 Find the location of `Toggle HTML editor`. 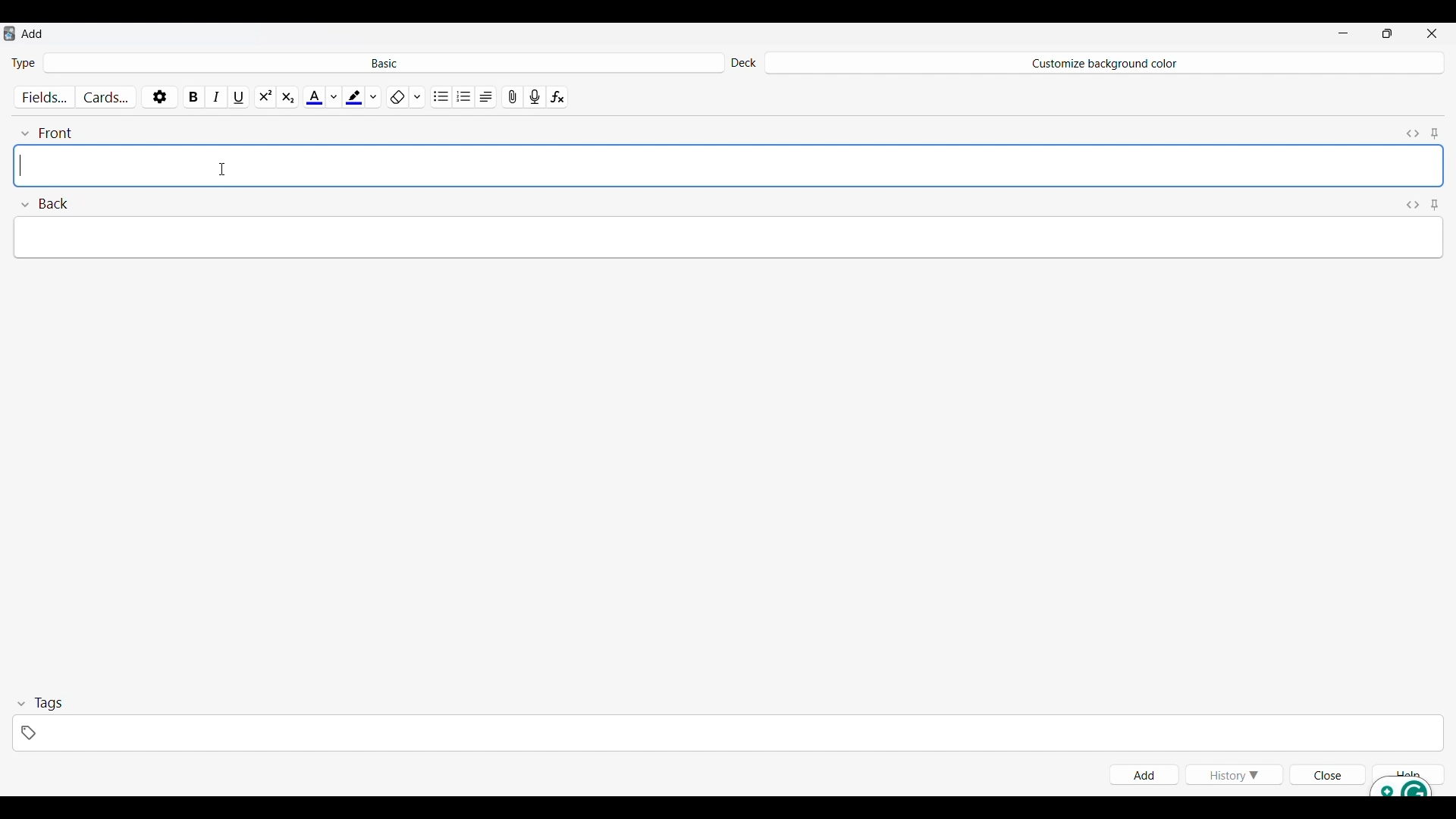

Toggle HTML editor is located at coordinates (1414, 203).